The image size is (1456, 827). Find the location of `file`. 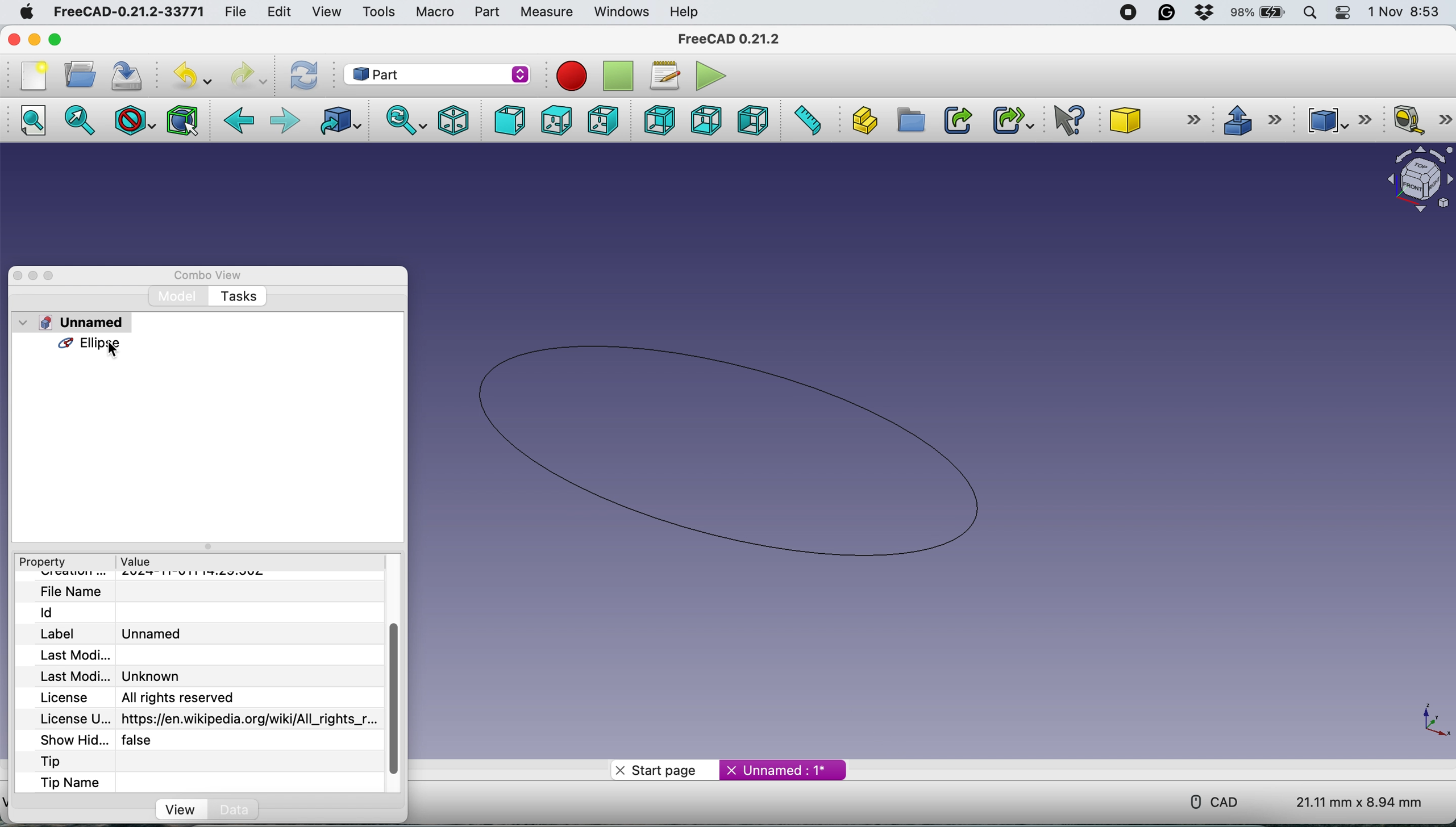

file is located at coordinates (232, 10).